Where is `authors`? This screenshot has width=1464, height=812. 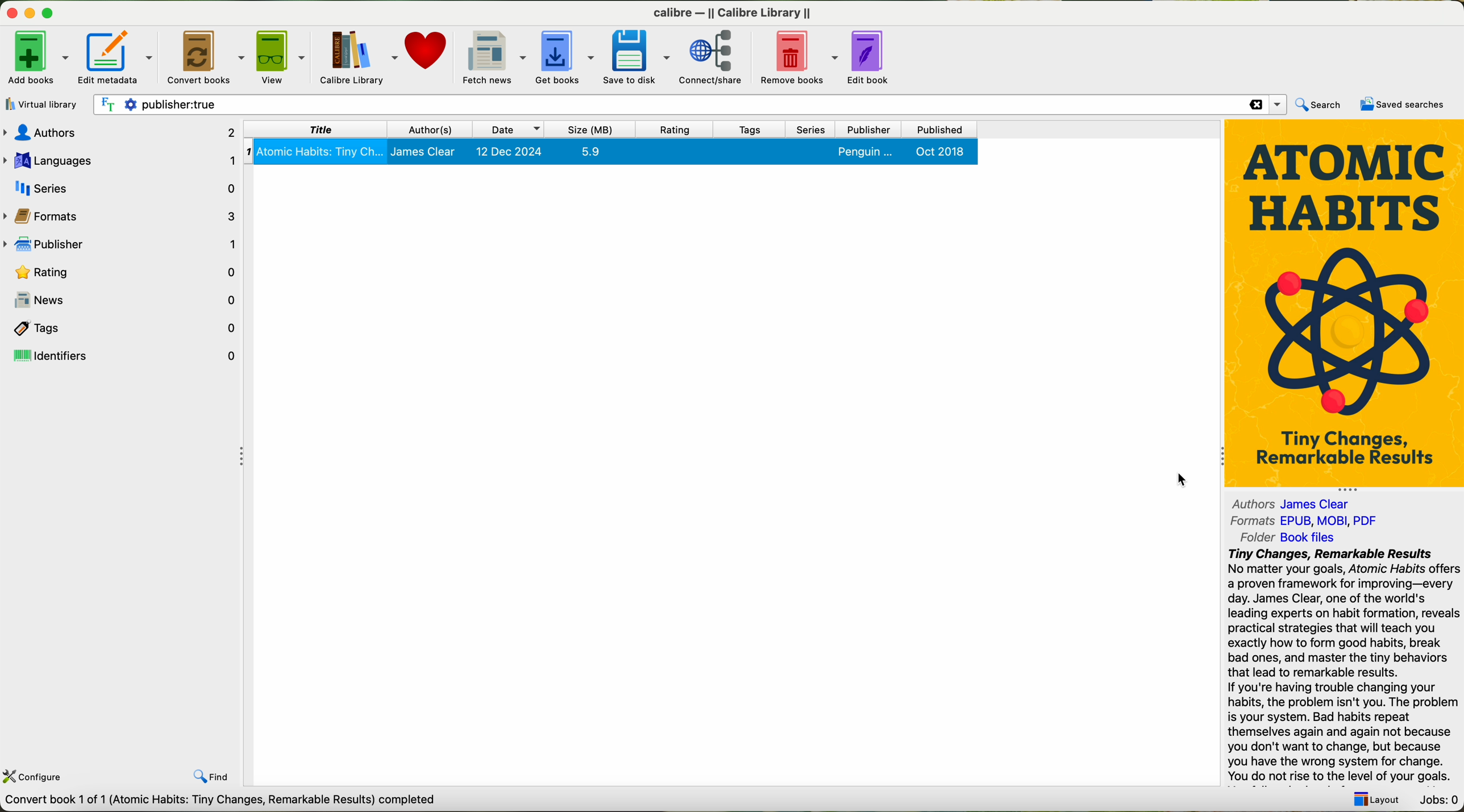 authors is located at coordinates (1291, 503).